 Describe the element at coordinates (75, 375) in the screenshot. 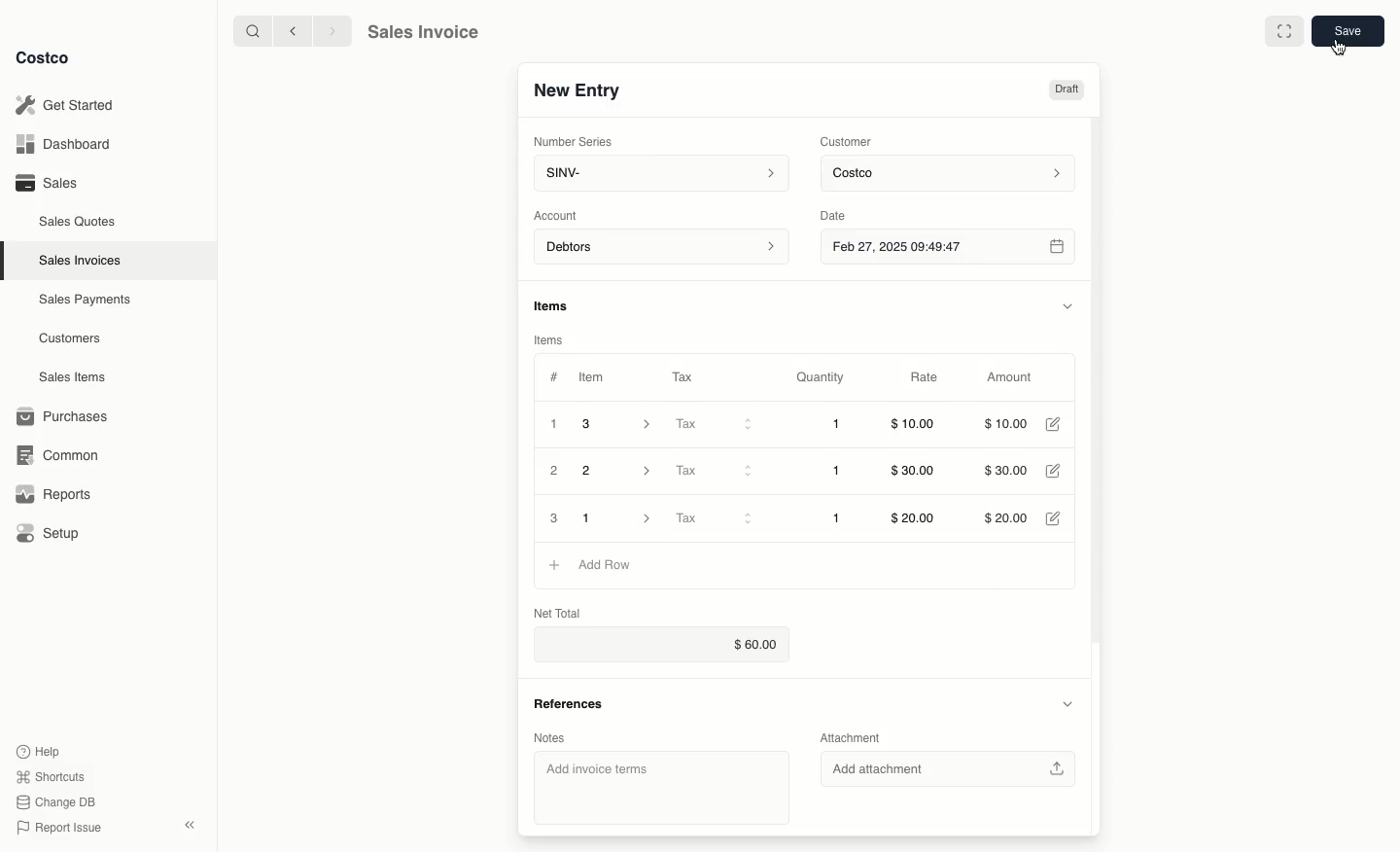

I see `Sales Items` at that location.